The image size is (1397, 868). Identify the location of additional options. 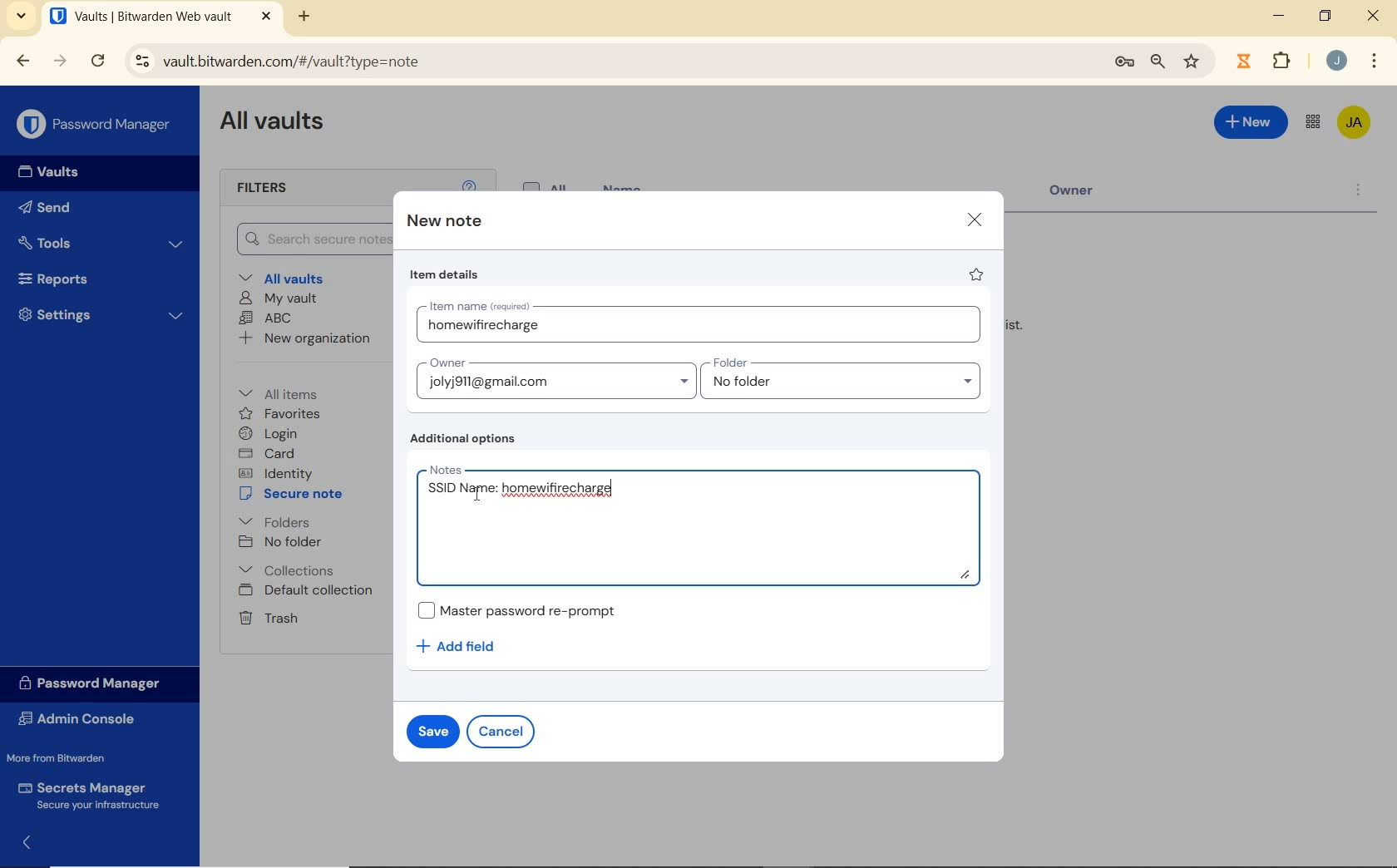
(468, 439).